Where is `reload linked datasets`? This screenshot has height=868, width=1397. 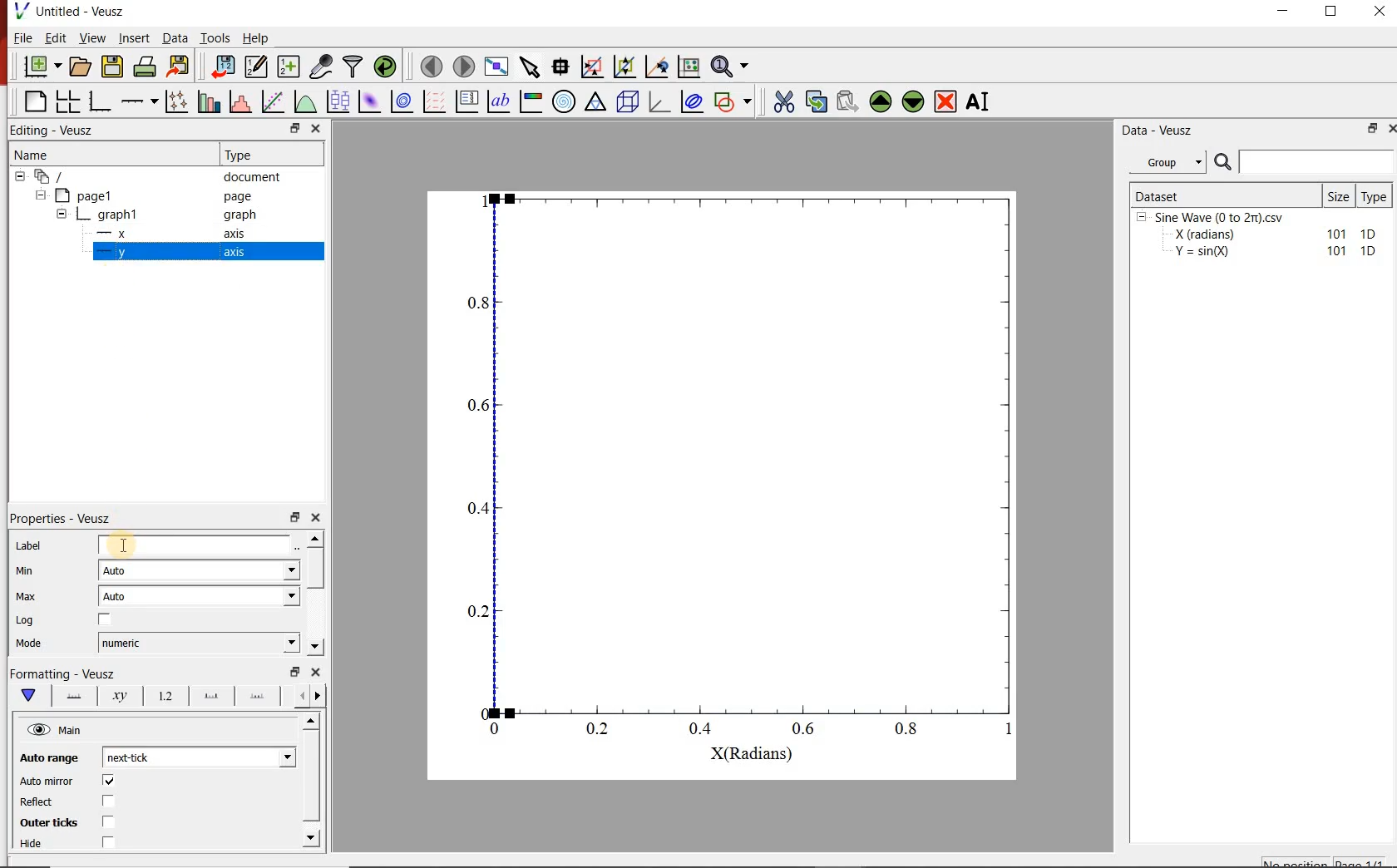
reload linked datasets is located at coordinates (388, 67).